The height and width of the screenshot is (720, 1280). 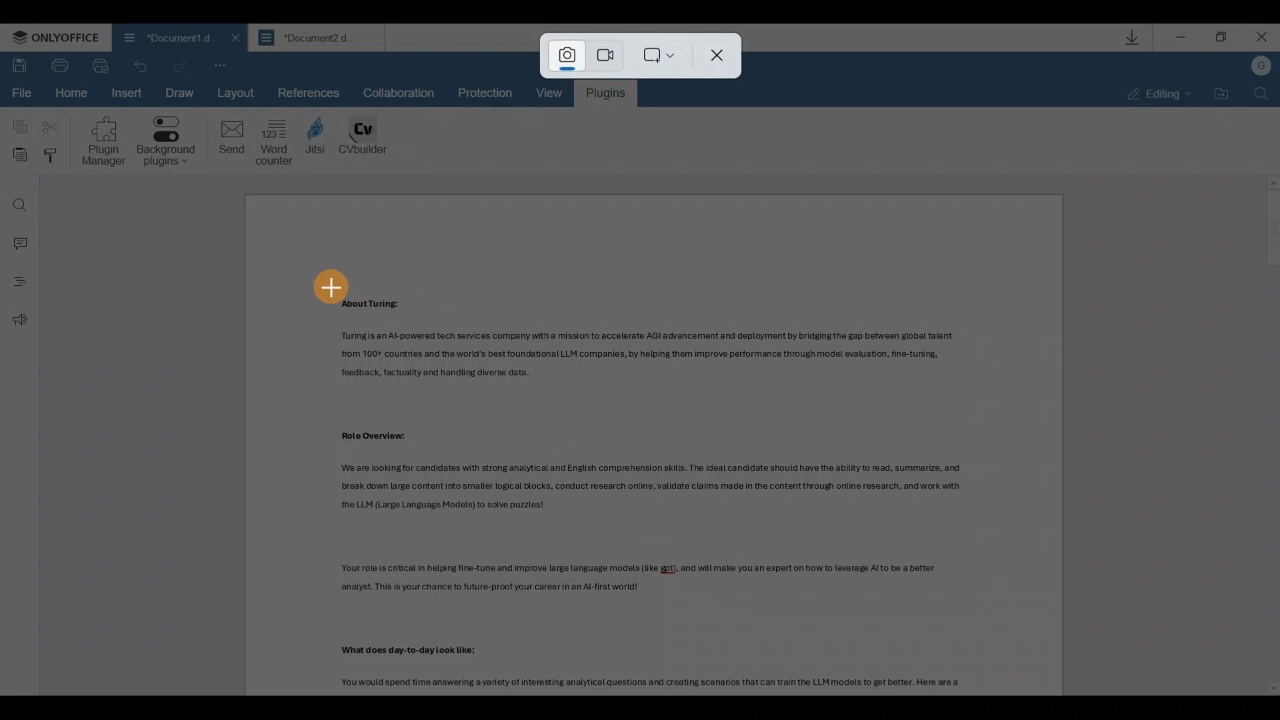 What do you see at coordinates (562, 56) in the screenshot?
I see `Snip` at bounding box center [562, 56].